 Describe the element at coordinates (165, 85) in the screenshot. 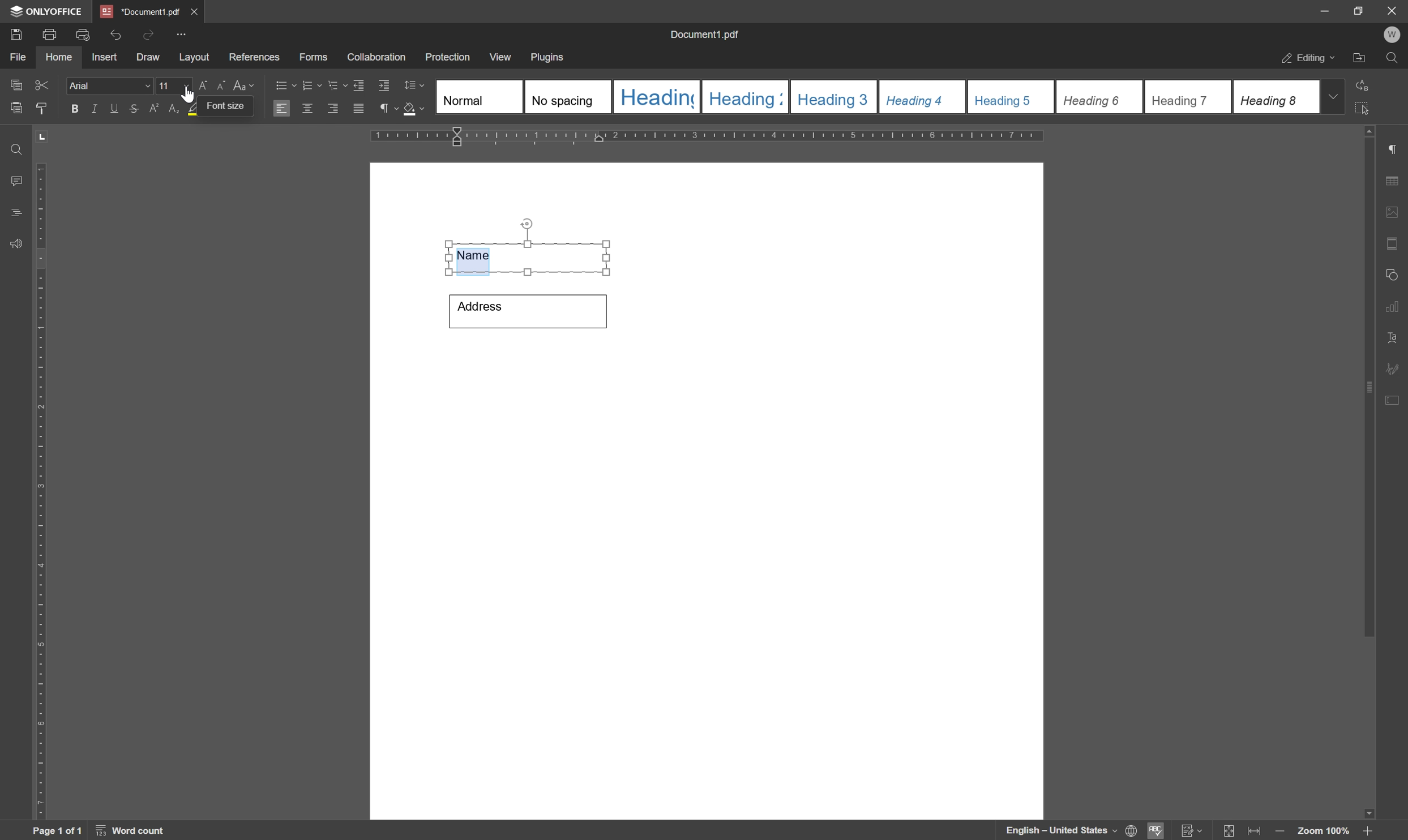

I see `font size` at that location.